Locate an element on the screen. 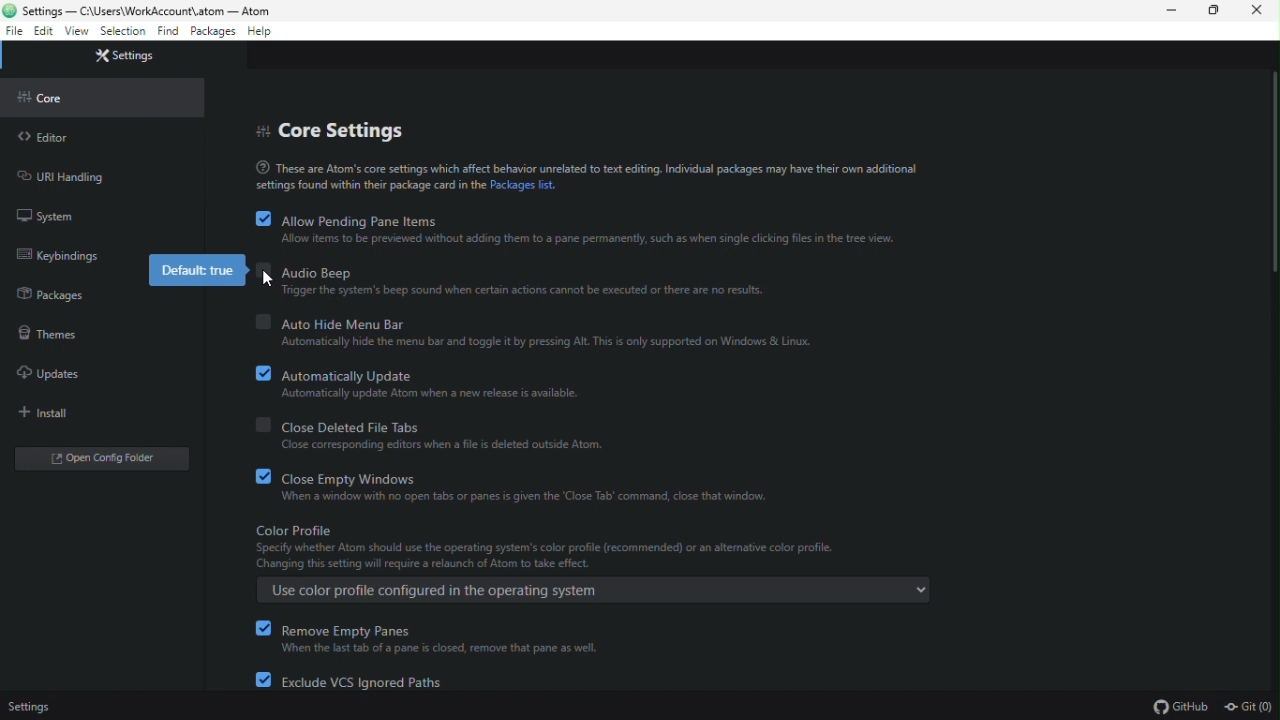 The image size is (1280, 720). keybinding is located at coordinates (58, 256).